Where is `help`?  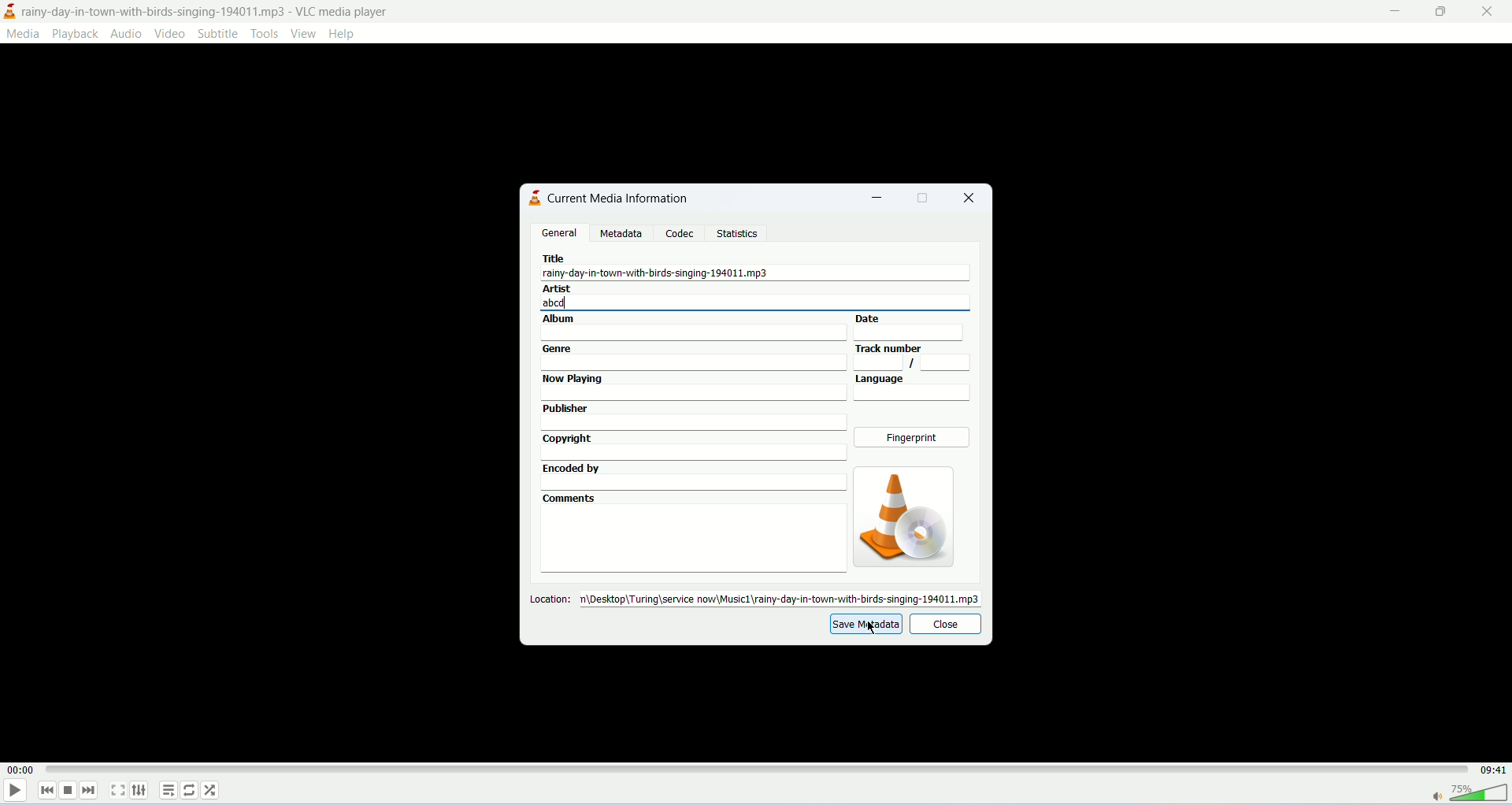 help is located at coordinates (345, 35).